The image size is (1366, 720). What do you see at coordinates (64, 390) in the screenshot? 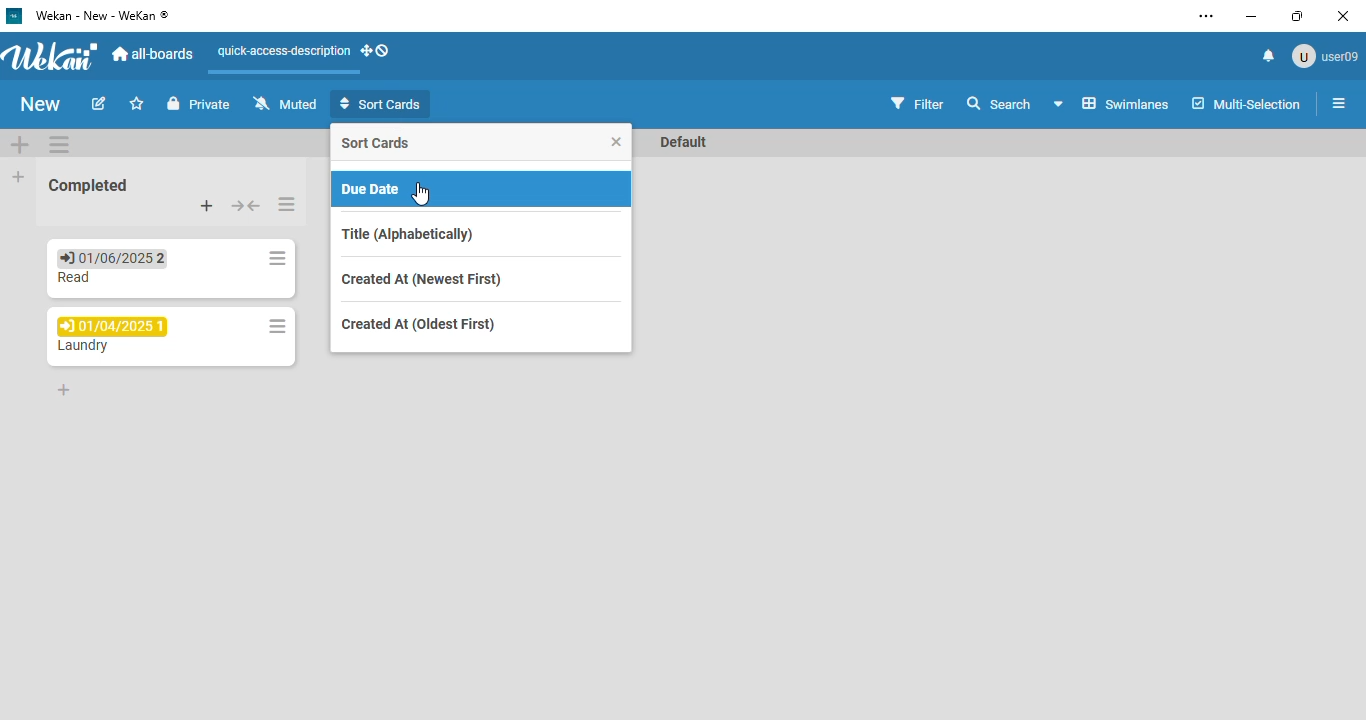
I see `add card to bottom of list` at bounding box center [64, 390].